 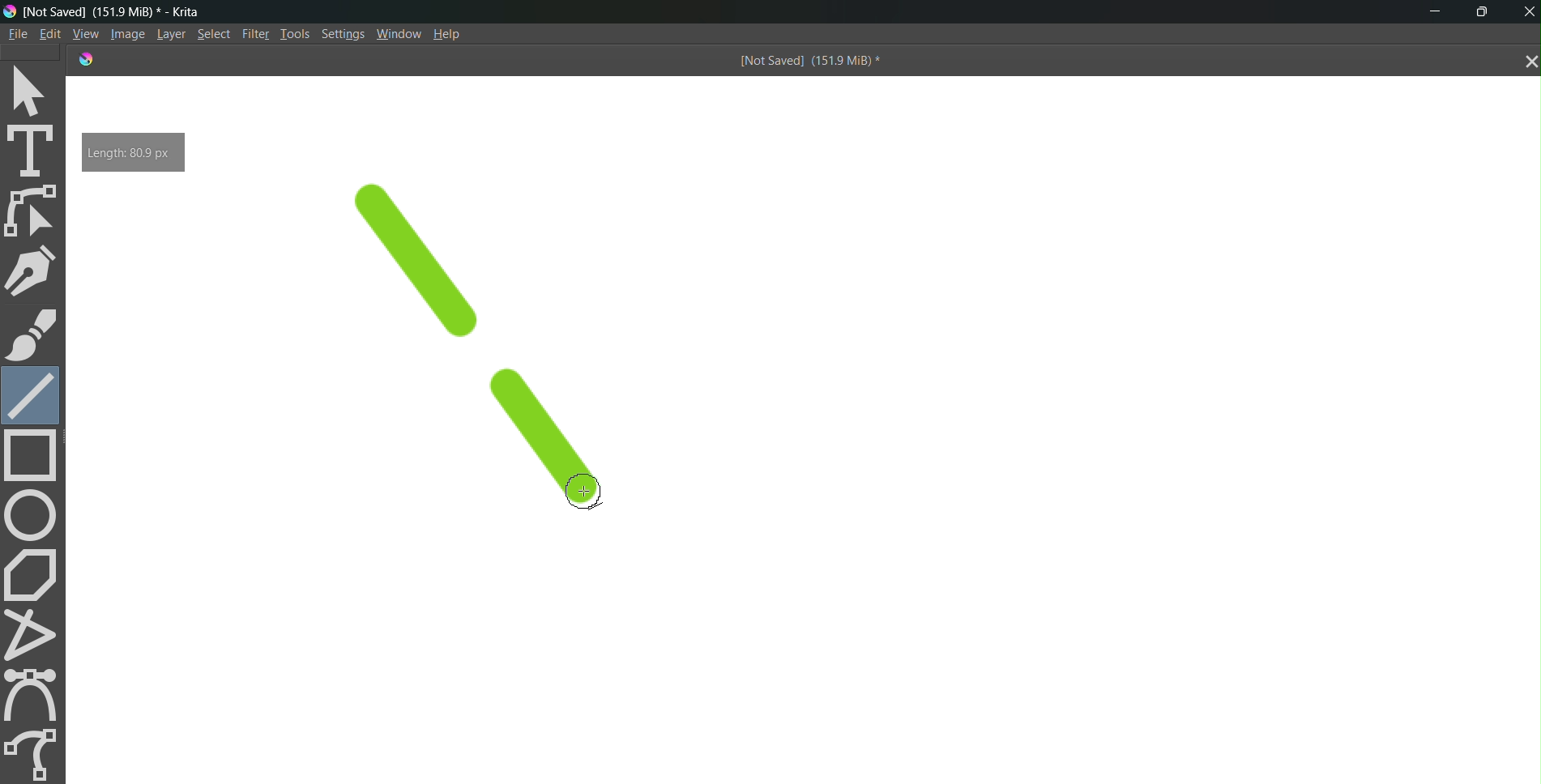 I want to click on [Not Saved] (151.9 MiB) * - Krita, so click(x=122, y=11).